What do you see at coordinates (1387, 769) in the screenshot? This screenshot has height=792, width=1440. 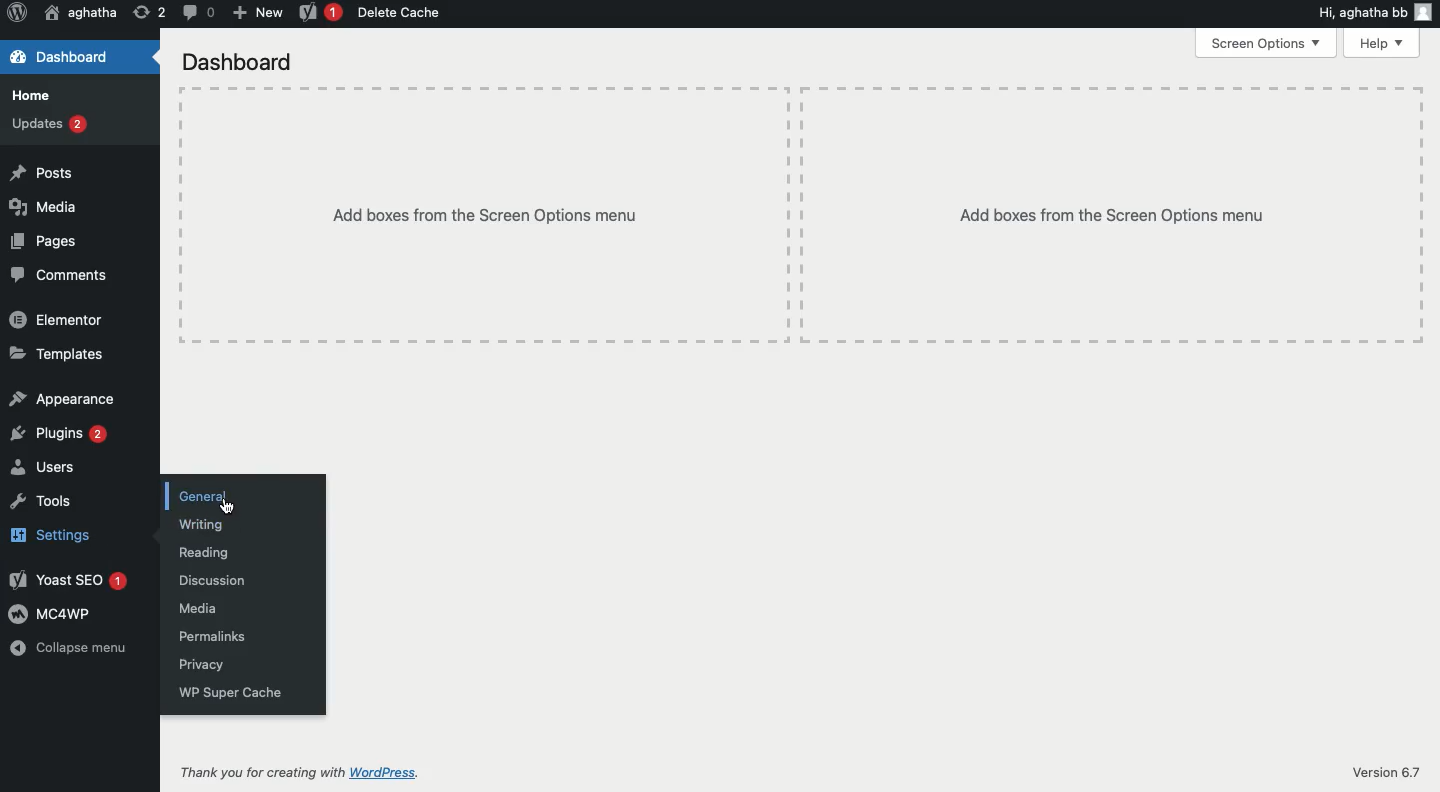 I see `Version 6.7` at bounding box center [1387, 769].